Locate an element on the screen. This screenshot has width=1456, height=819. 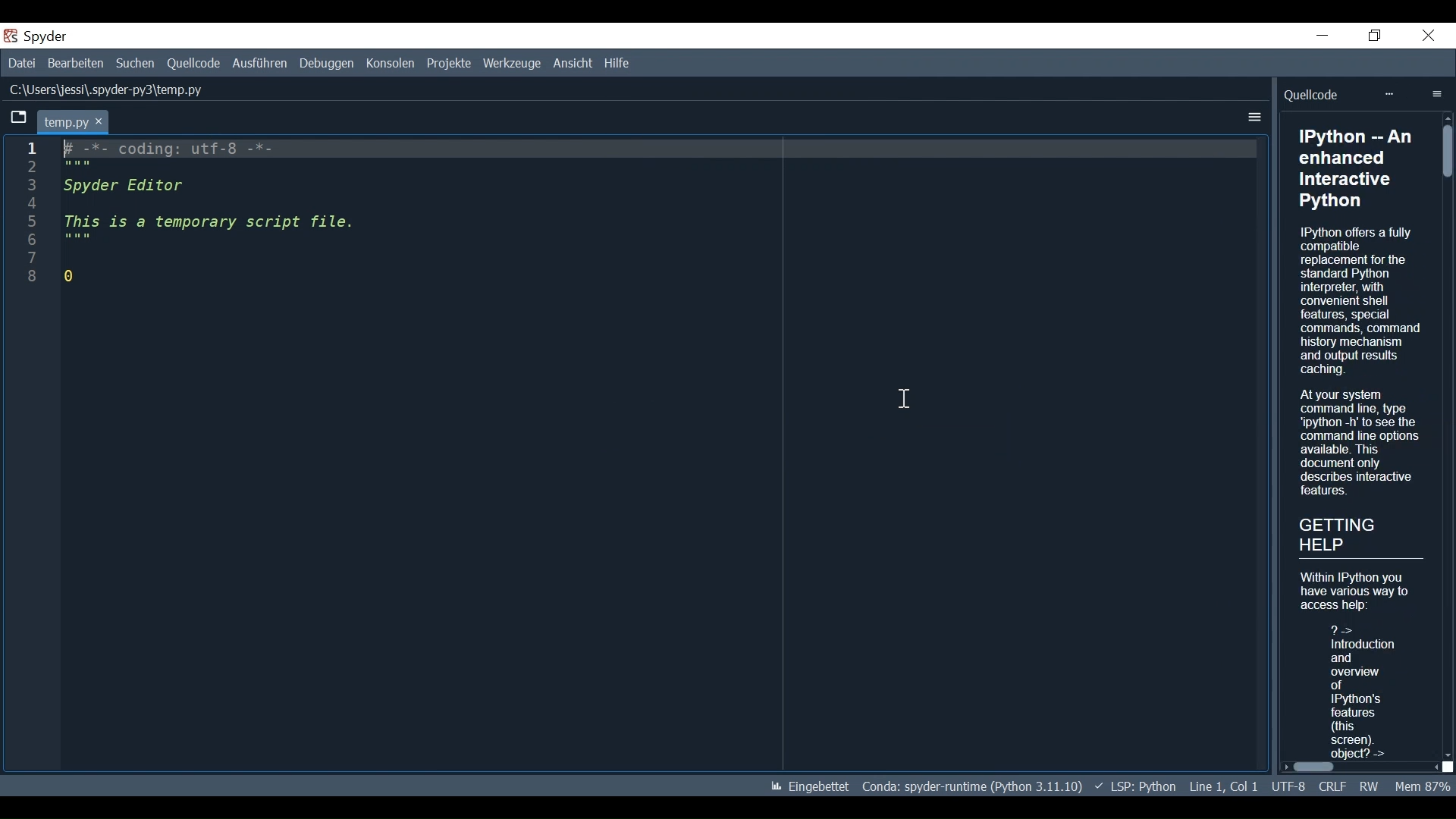
Close is located at coordinates (1429, 36).